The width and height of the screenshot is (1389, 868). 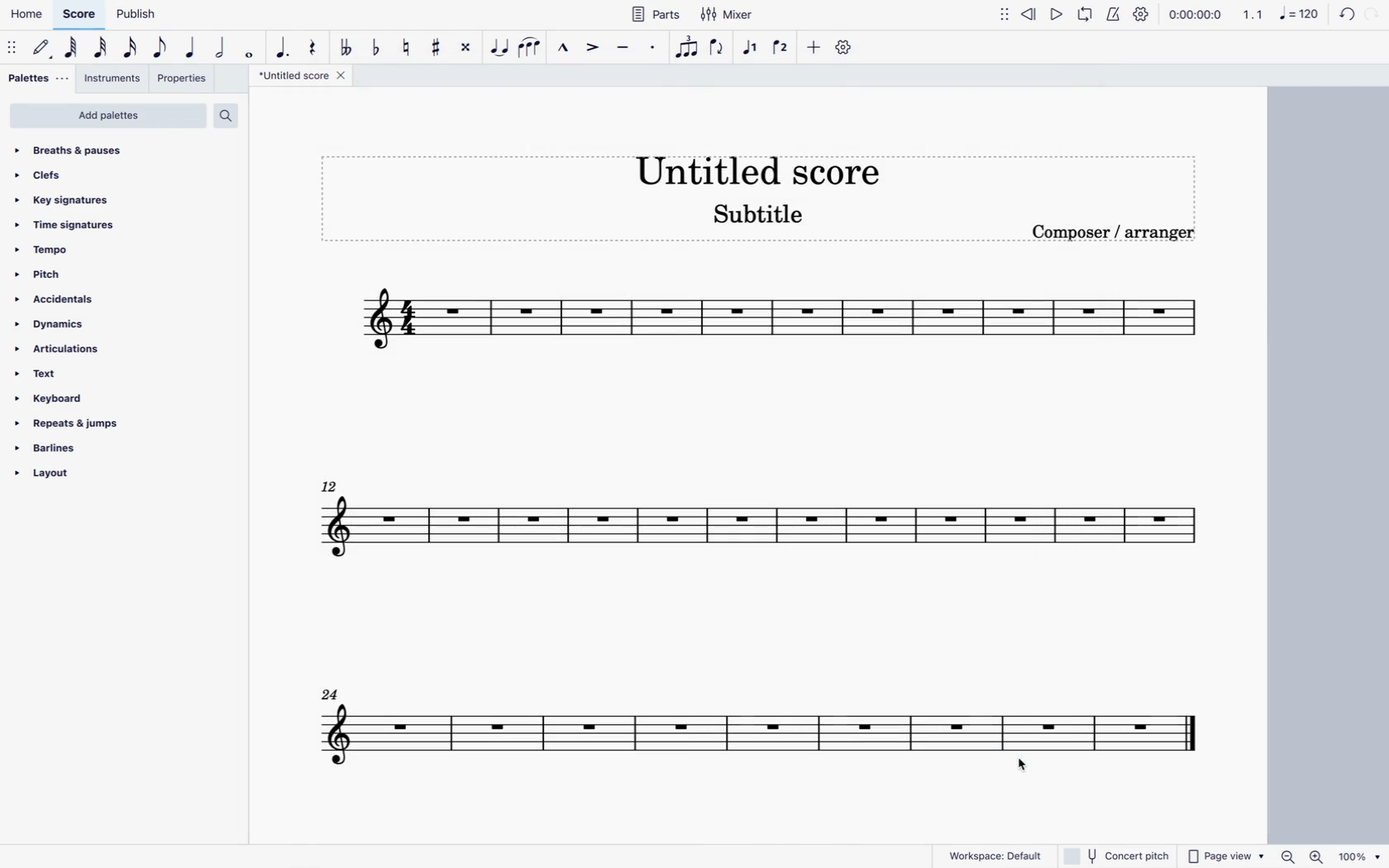 I want to click on properties, so click(x=184, y=79).